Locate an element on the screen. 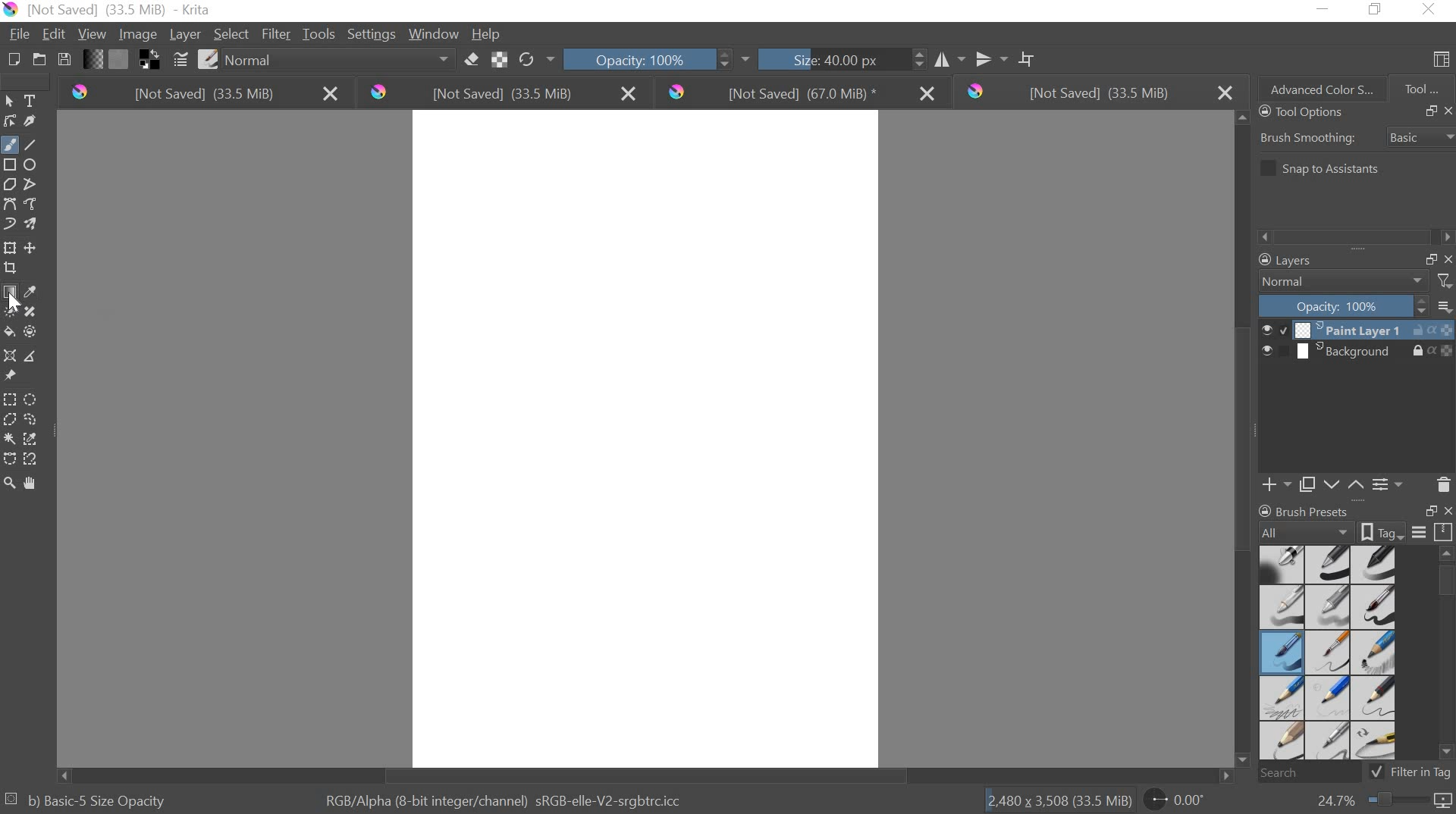 This screenshot has height=814, width=1456. LAYER is located at coordinates (184, 35).